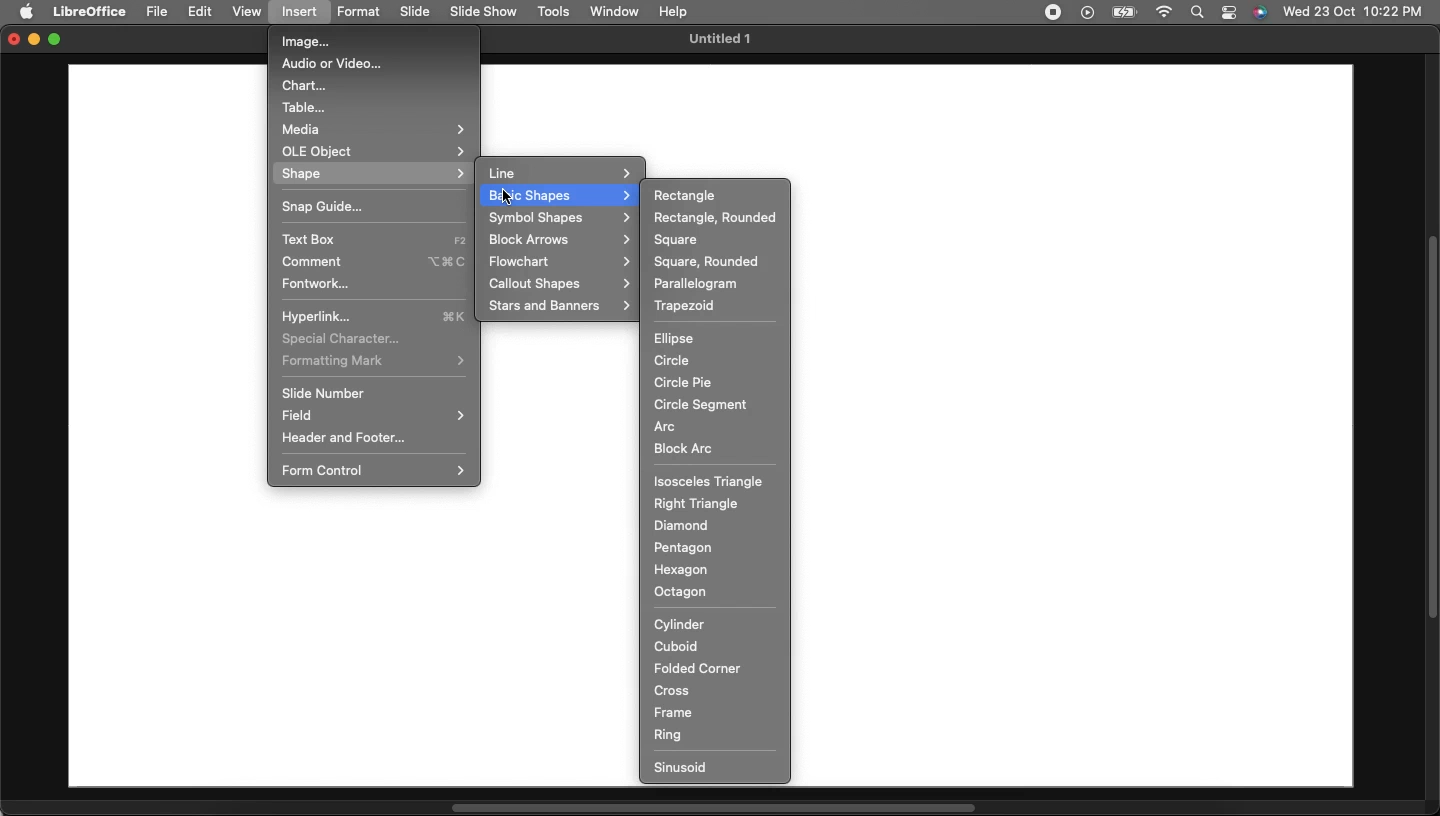 The image size is (1440, 816). What do you see at coordinates (304, 43) in the screenshot?
I see `Image` at bounding box center [304, 43].